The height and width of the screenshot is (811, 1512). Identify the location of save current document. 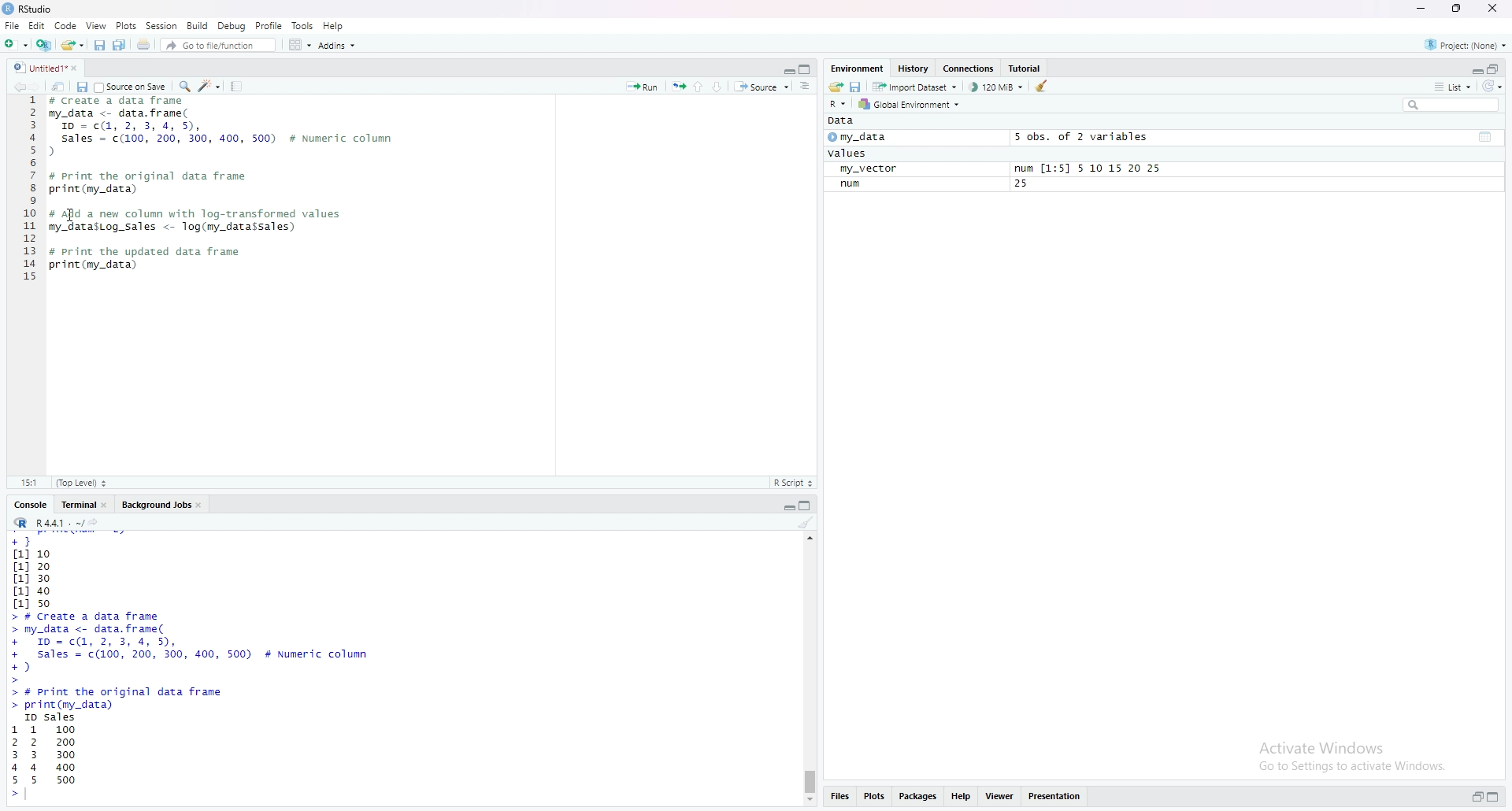
(101, 46).